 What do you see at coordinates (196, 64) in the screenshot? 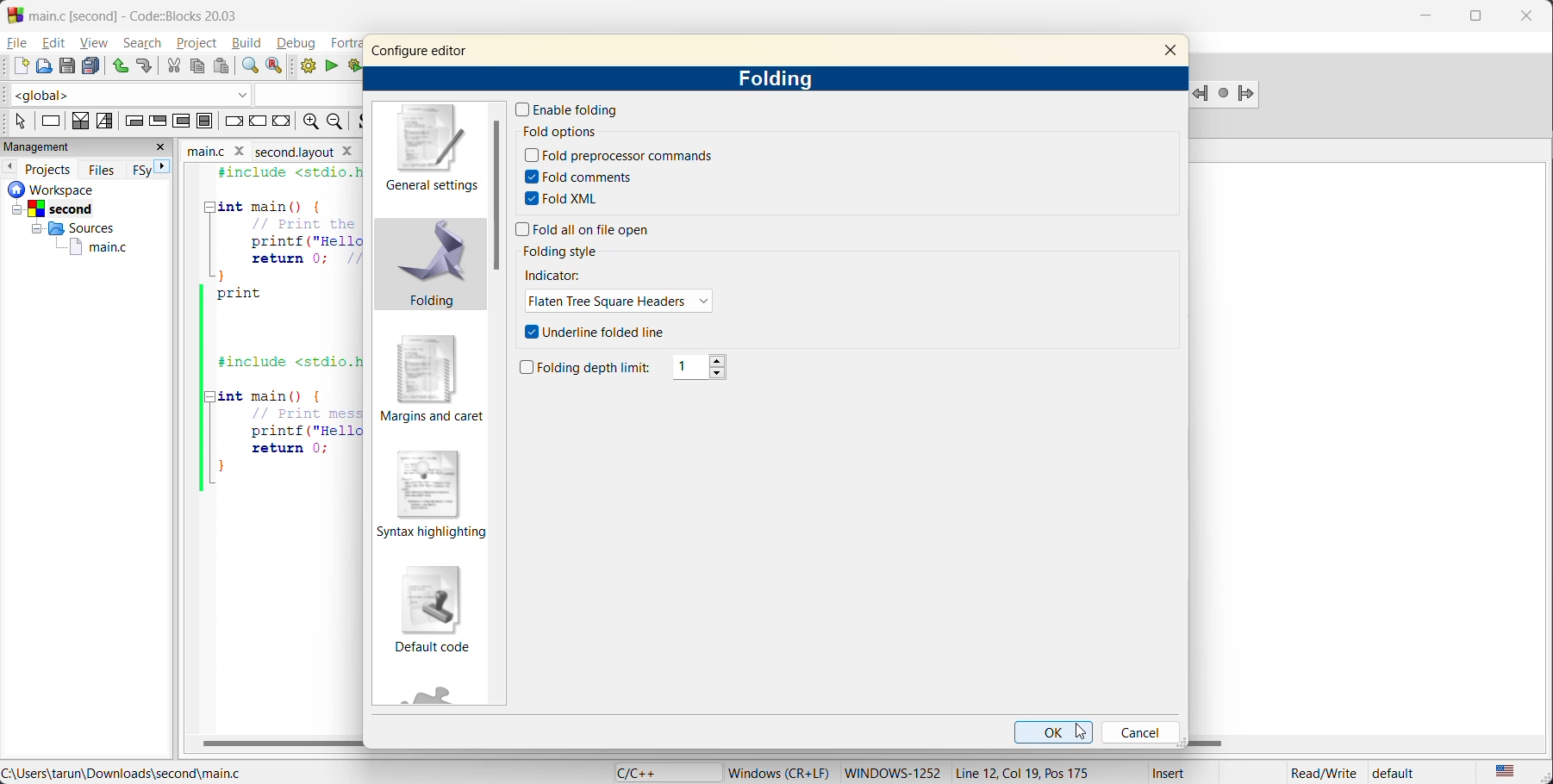
I see `copy` at bounding box center [196, 64].